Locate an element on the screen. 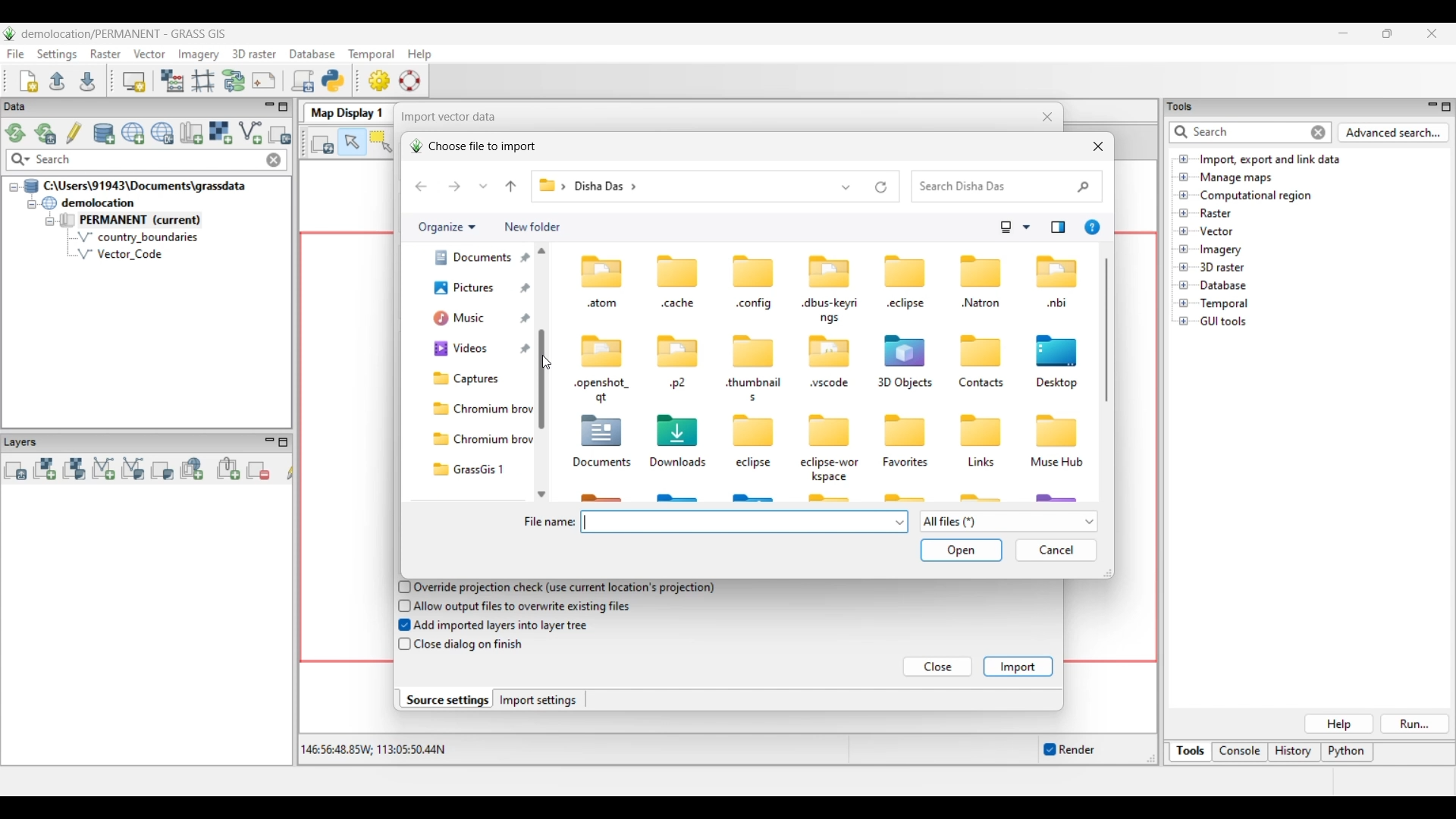 The height and width of the screenshot is (819, 1456). Software logo is located at coordinates (10, 33).